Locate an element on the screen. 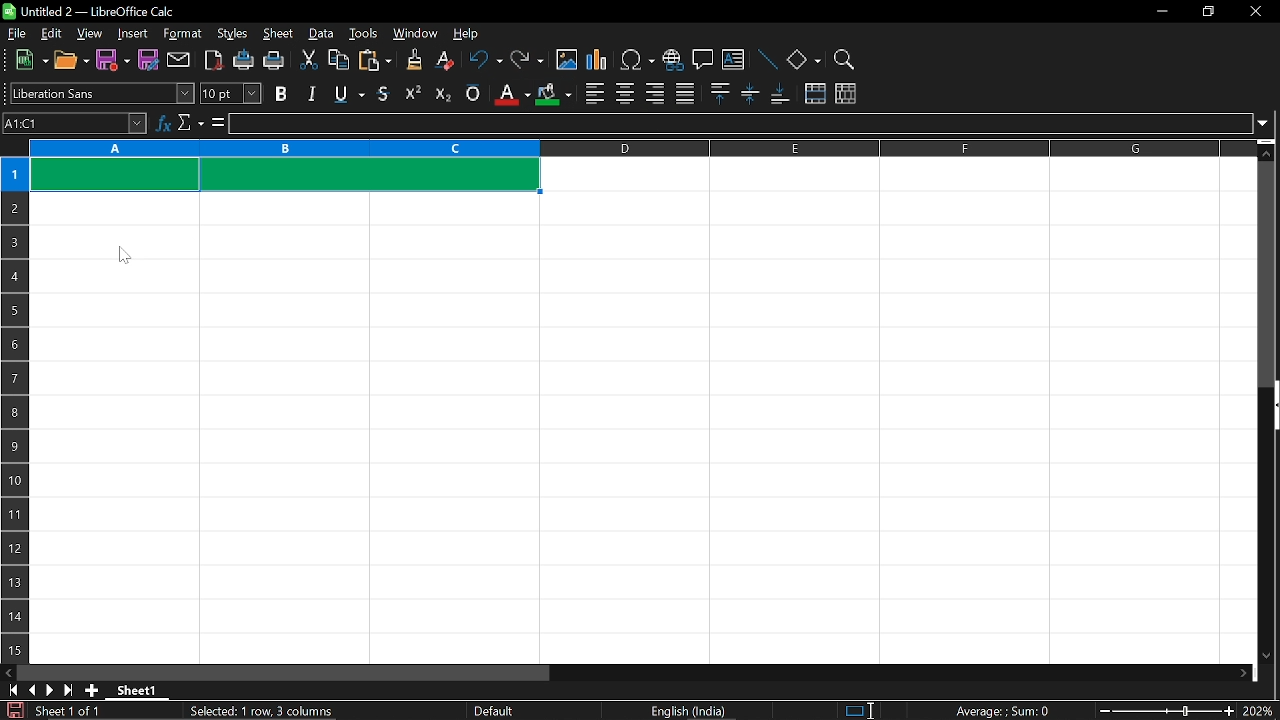 The width and height of the screenshot is (1280, 720). print directly is located at coordinates (242, 61).